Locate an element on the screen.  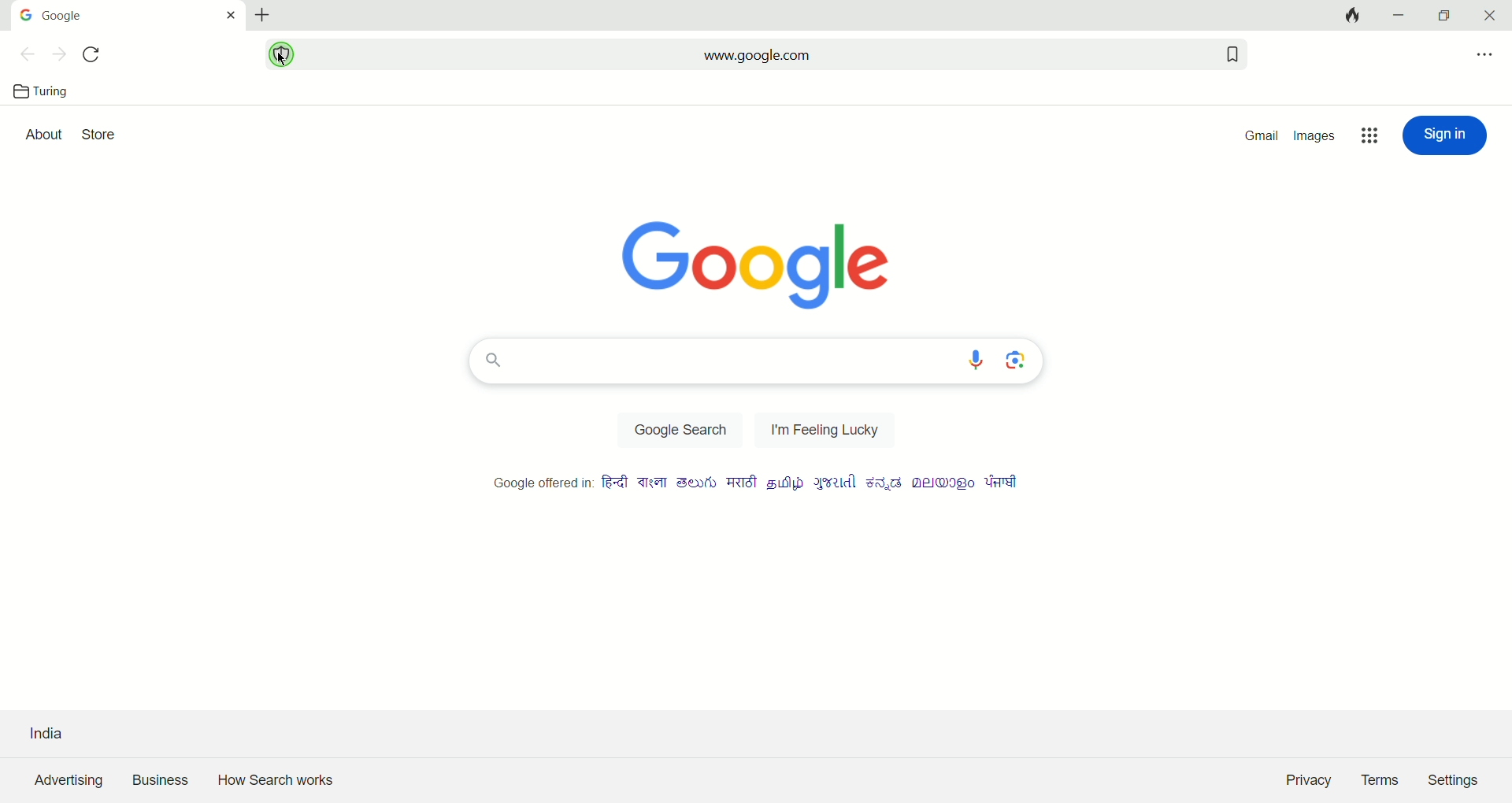
security is located at coordinates (280, 55).